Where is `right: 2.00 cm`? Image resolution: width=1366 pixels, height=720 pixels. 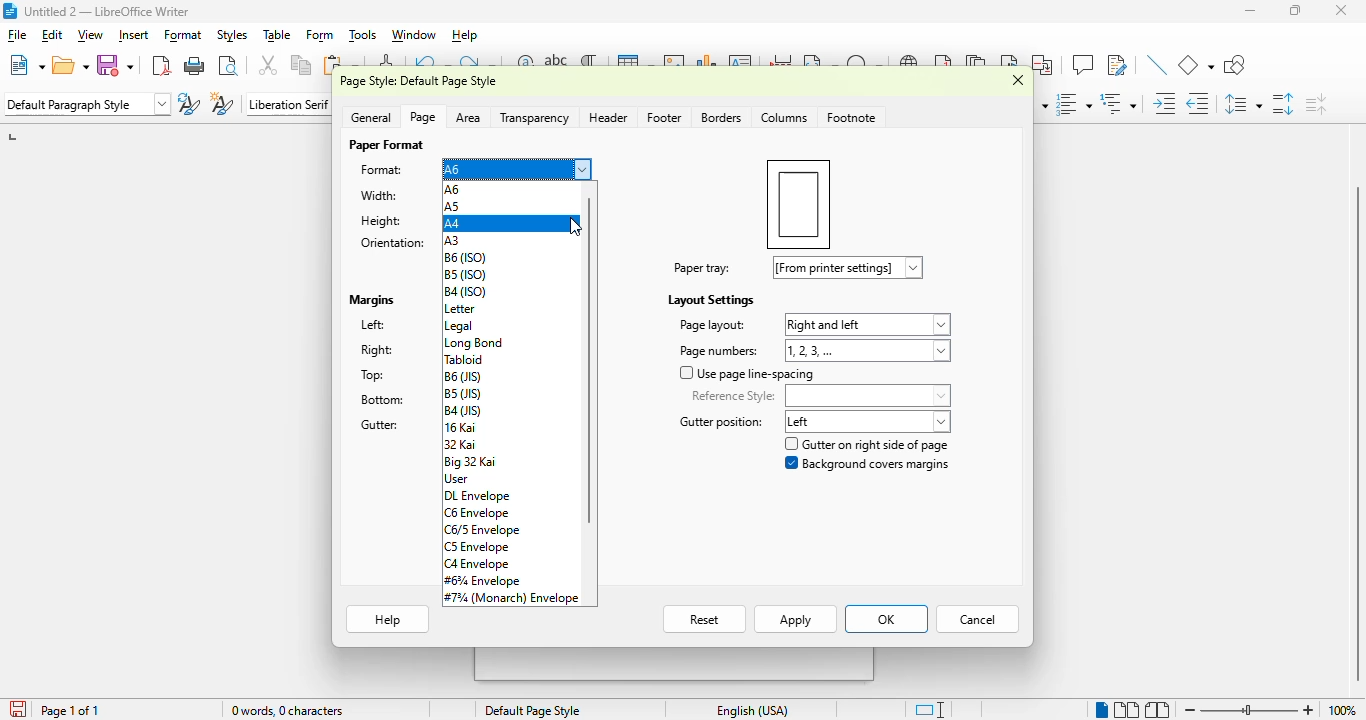
right: 2.00 cm is located at coordinates (388, 350).